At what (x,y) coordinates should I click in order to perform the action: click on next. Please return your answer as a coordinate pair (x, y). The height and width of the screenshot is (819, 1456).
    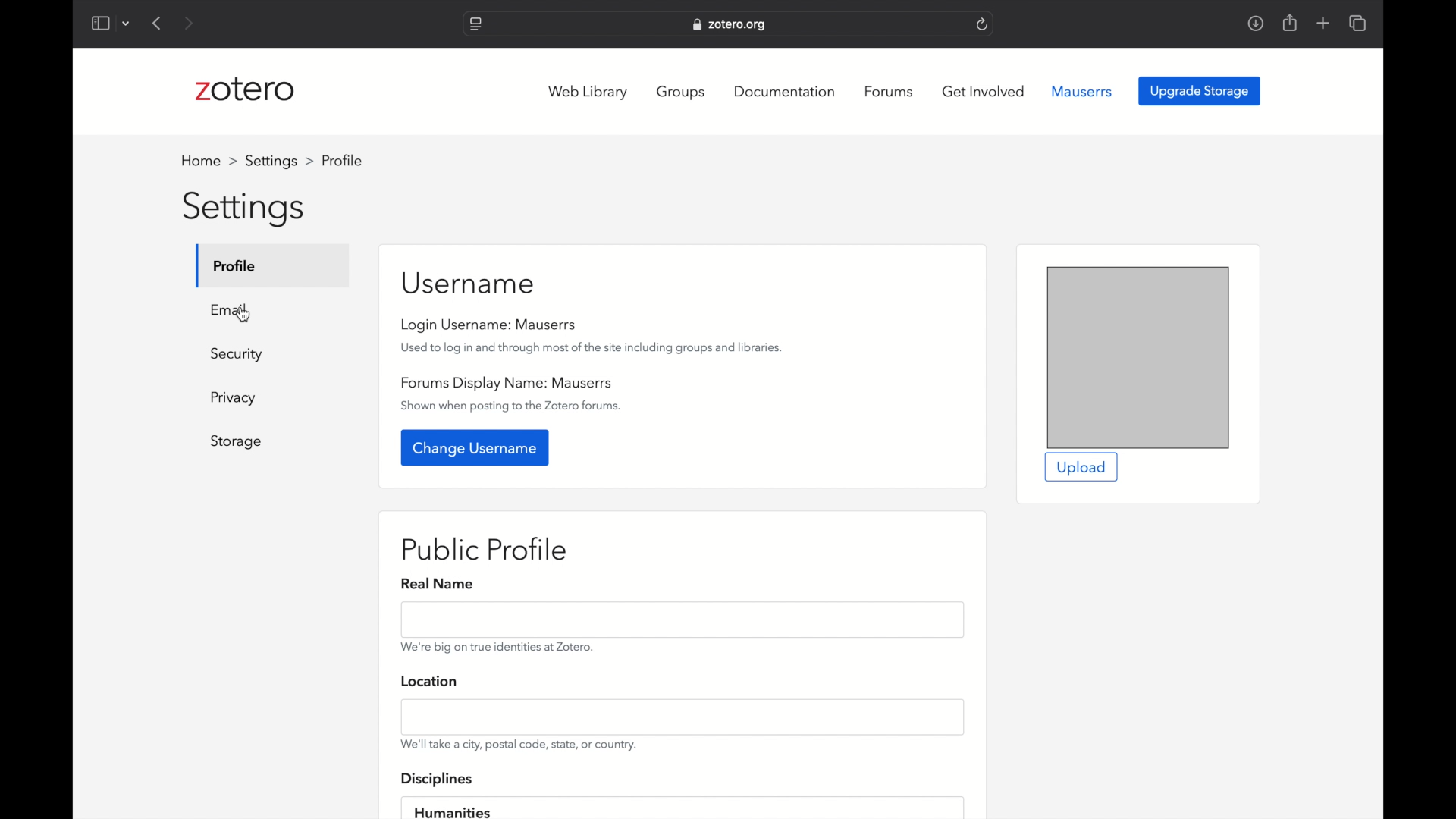
    Looking at the image, I should click on (190, 23).